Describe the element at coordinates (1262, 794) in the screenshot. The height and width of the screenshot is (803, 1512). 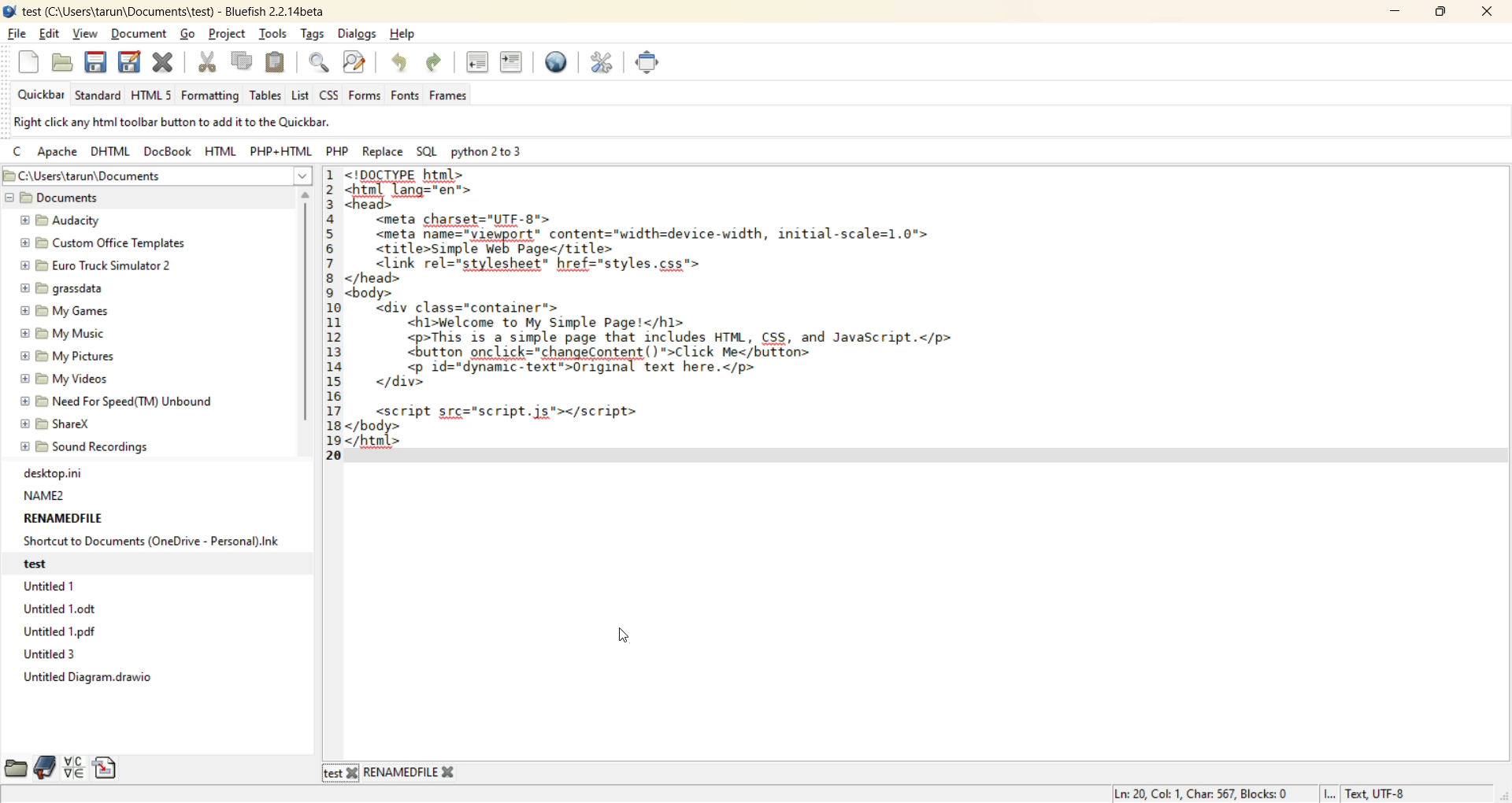
I see `metadata` at that location.